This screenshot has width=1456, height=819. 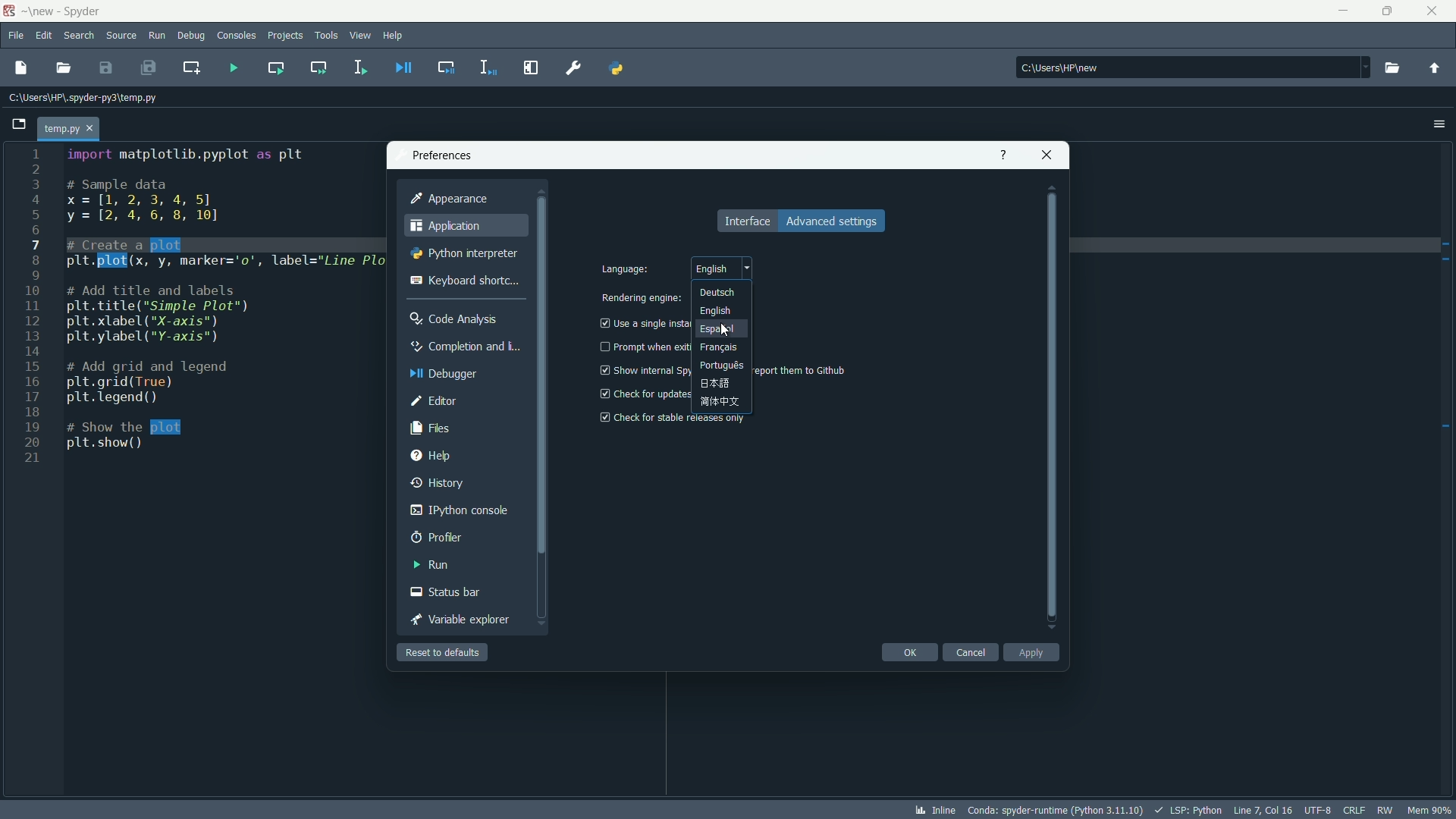 What do you see at coordinates (239, 36) in the screenshot?
I see `consoles` at bounding box center [239, 36].